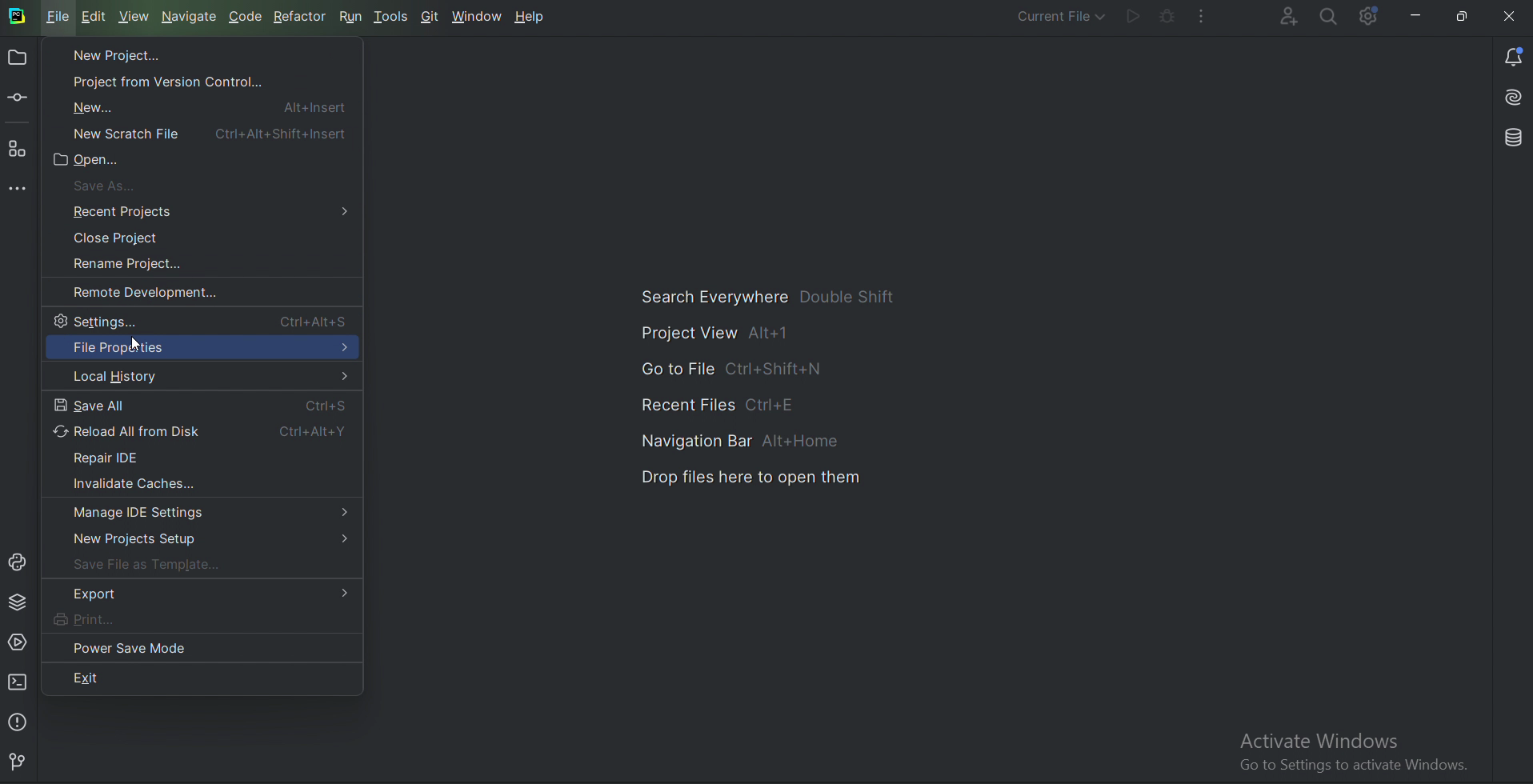 This screenshot has width=1533, height=784. What do you see at coordinates (1371, 15) in the screenshot?
I see `Setting` at bounding box center [1371, 15].